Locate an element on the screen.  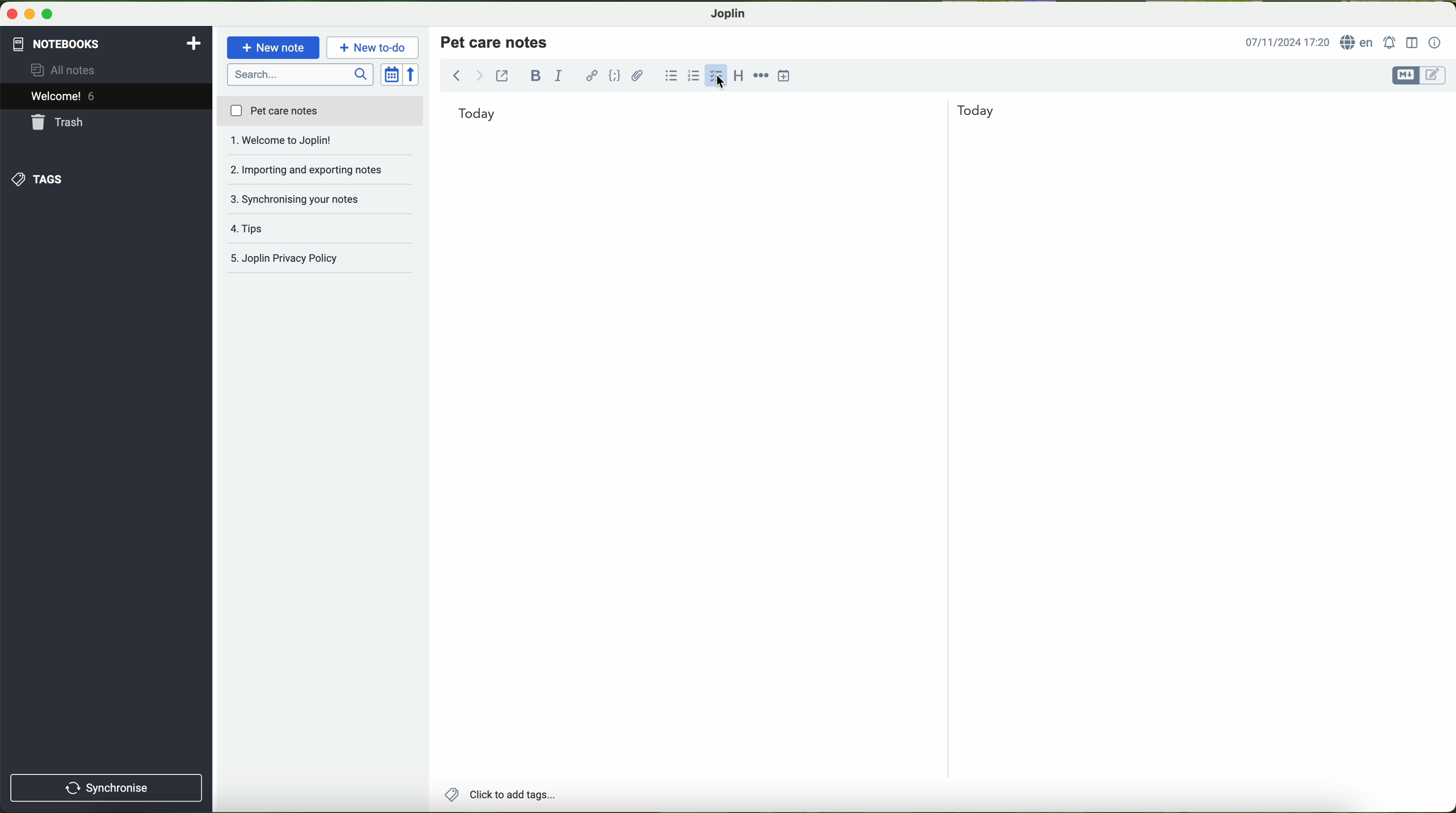
reverse sort order is located at coordinates (414, 75).